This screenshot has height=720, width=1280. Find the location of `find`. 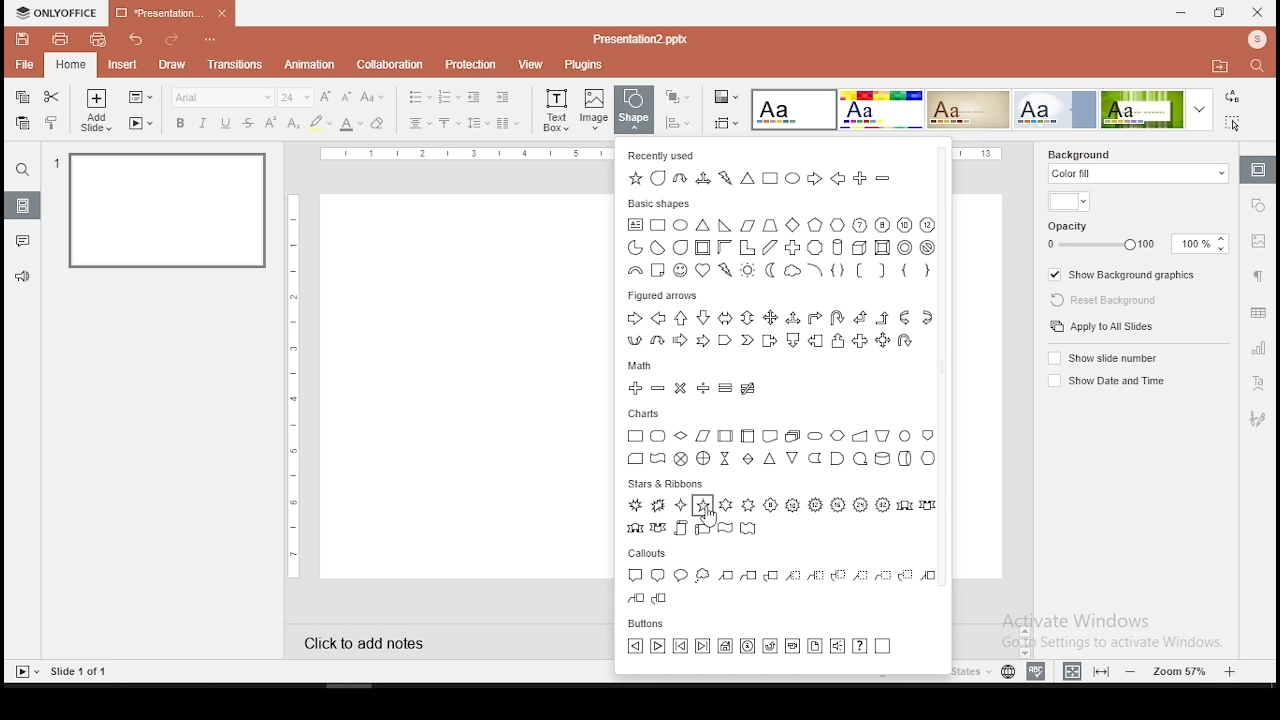

find is located at coordinates (1261, 68).